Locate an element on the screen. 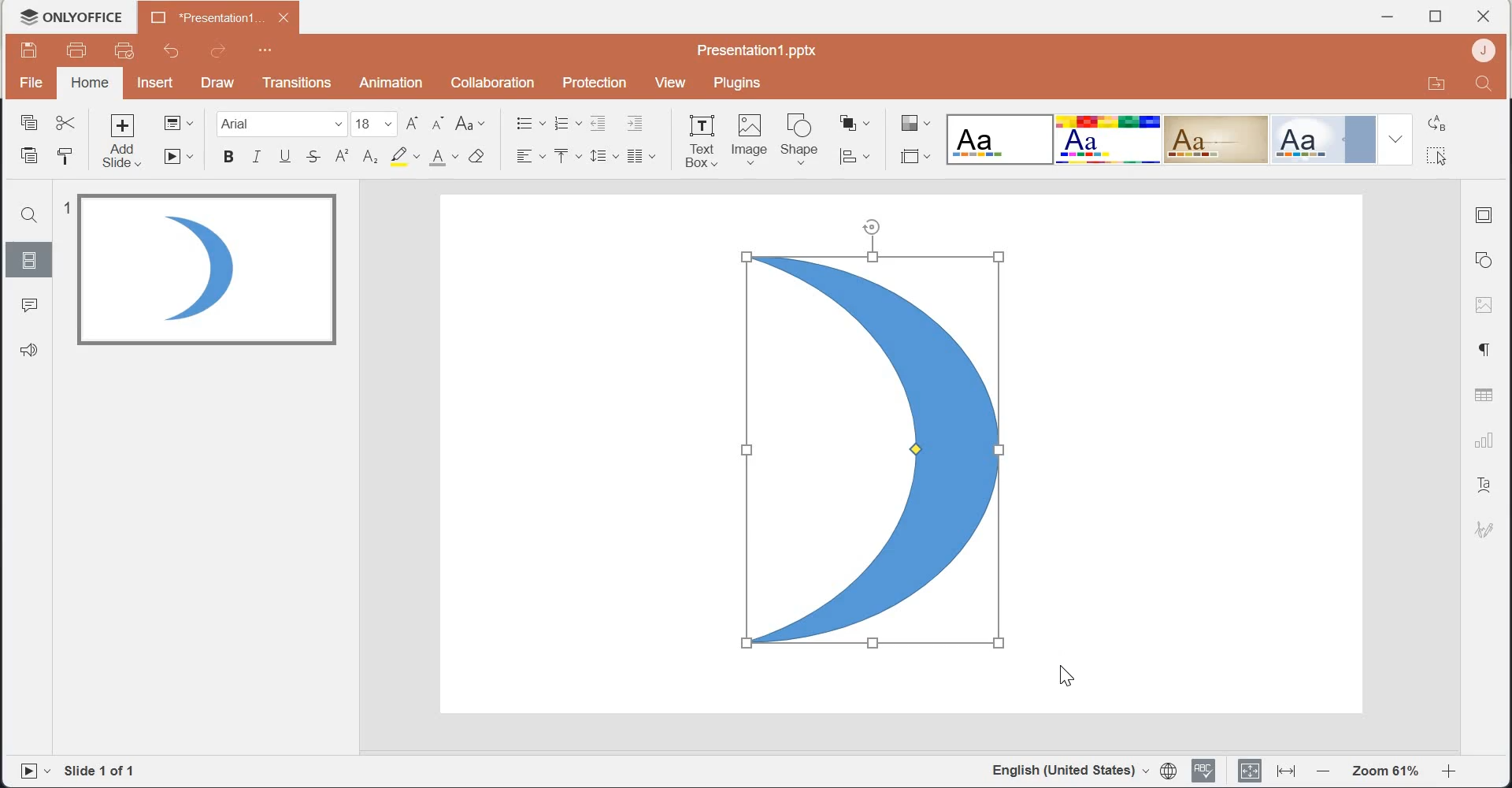 Image resolution: width=1512 pixels, height=788 pixels. Search is located at coordinates (1483, 84).